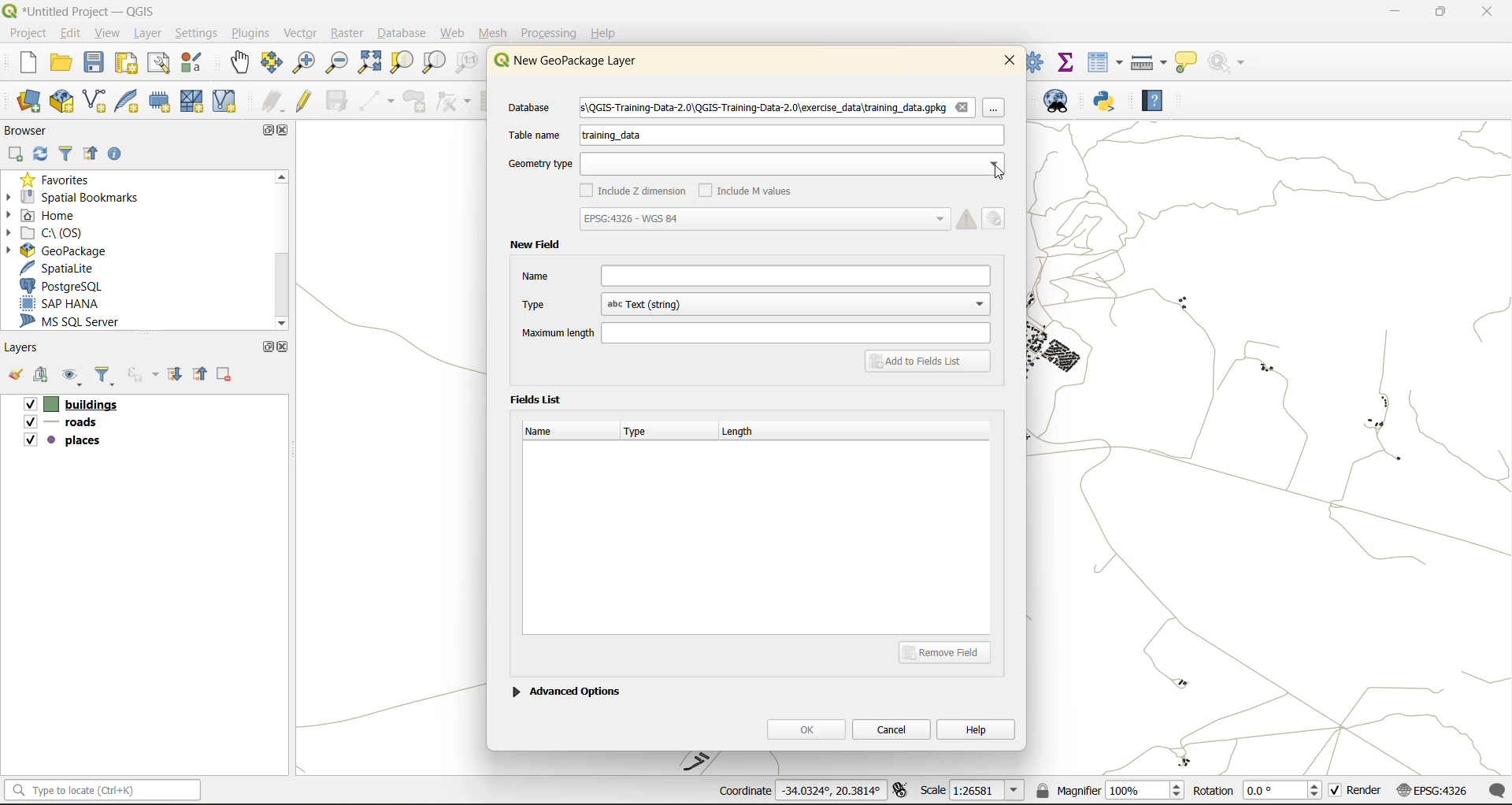 The width and height of the screenshot is (1512, 805). Describe the element at coordinates (42, 155) in the screenshot. I see `refresh` at that location.